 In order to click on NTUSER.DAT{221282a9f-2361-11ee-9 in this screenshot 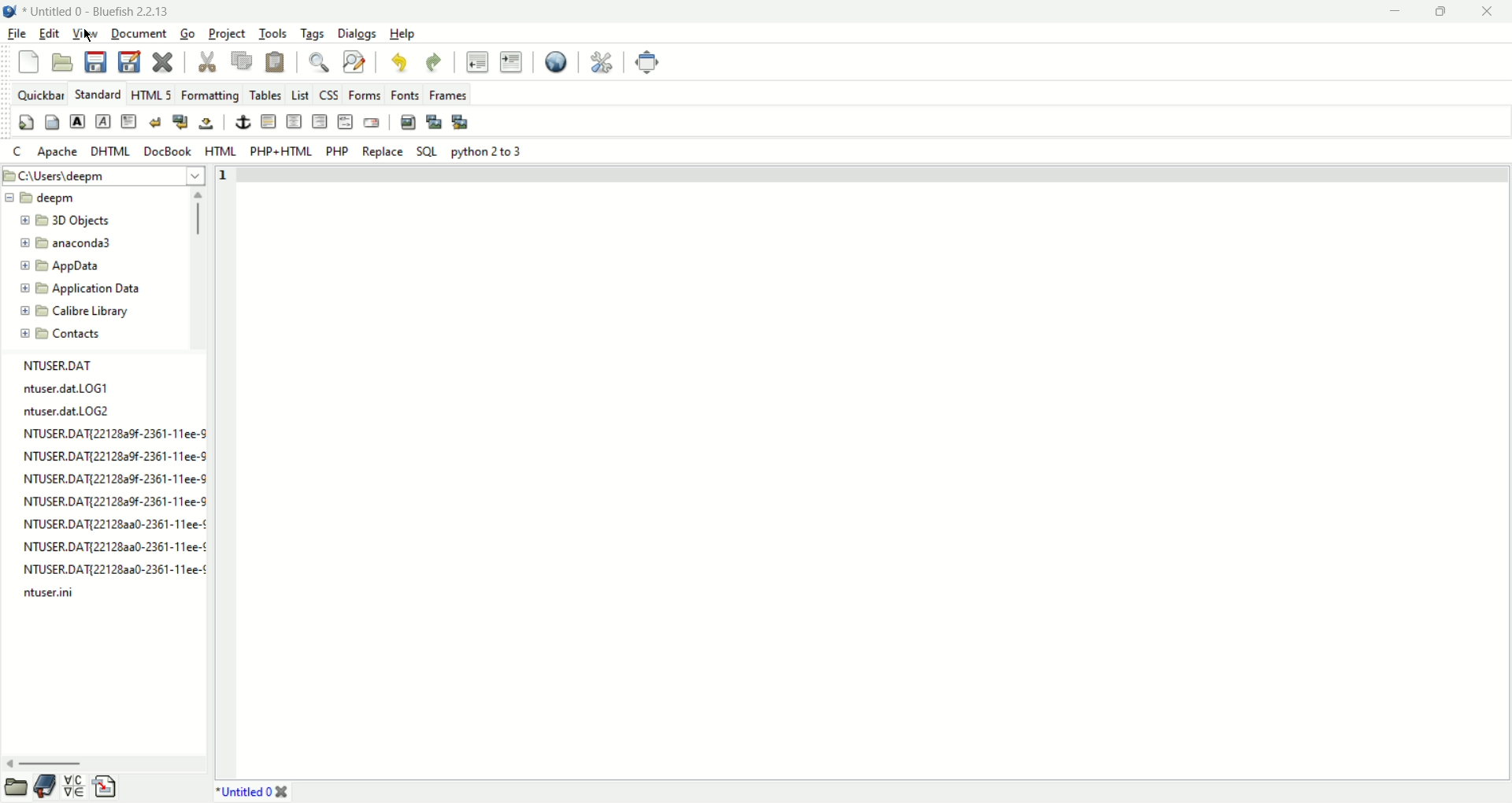, I will do `click(115, 478)`.